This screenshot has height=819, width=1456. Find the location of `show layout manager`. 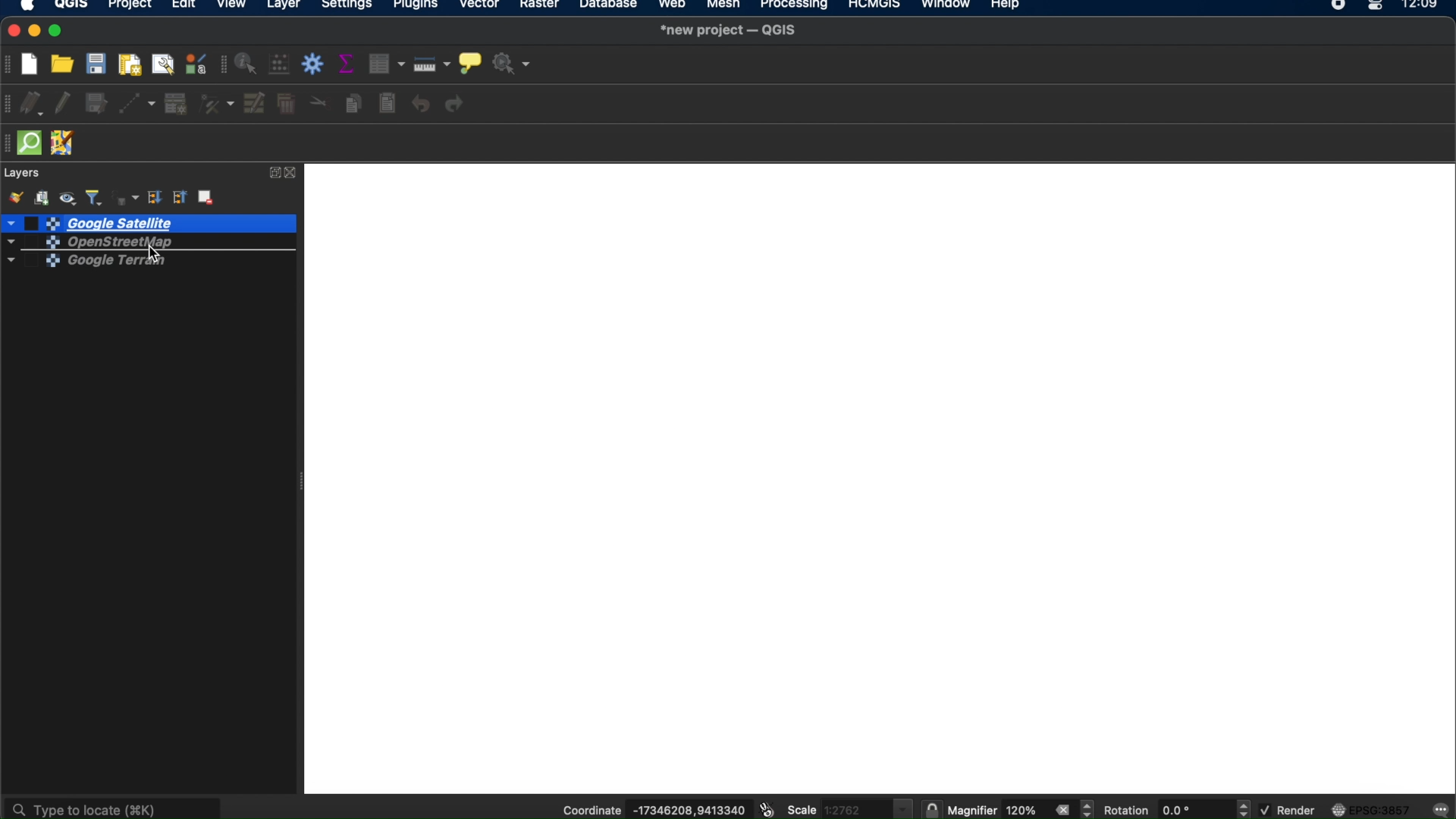

show layout manager is located at coordinates (165, 64).